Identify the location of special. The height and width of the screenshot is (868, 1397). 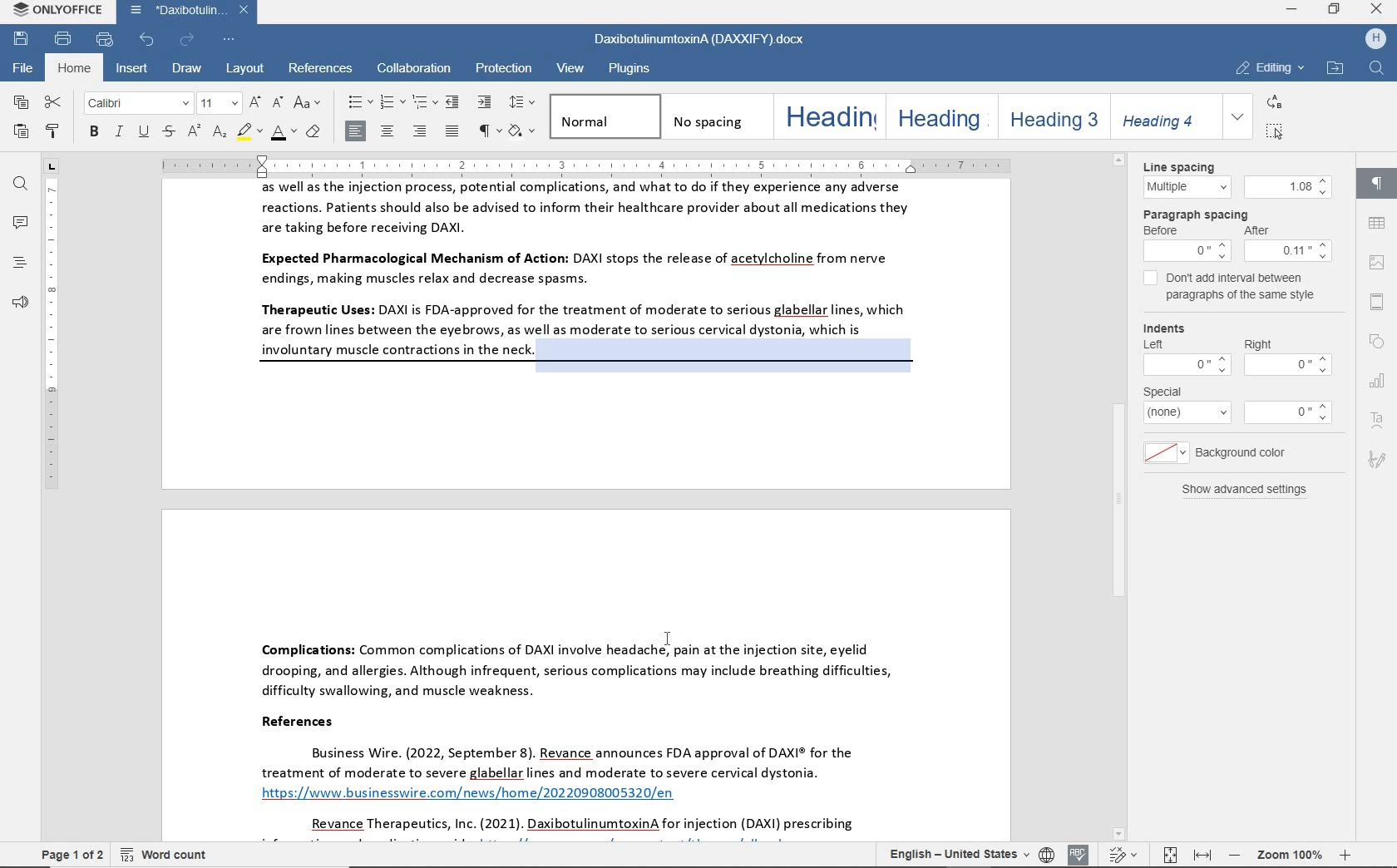
(1238, 406).